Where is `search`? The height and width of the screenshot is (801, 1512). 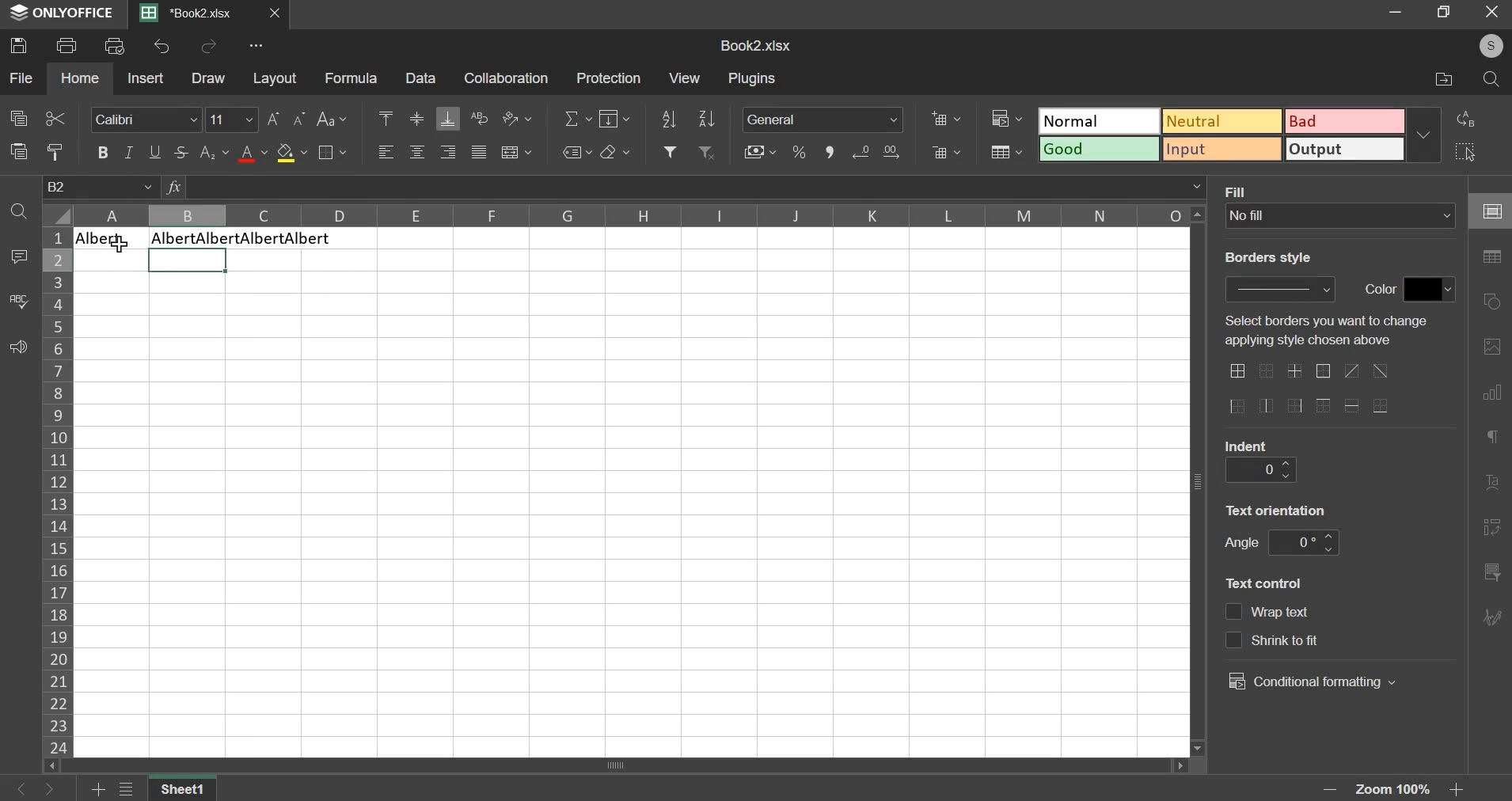 search is located at coordinates (1487, 78).